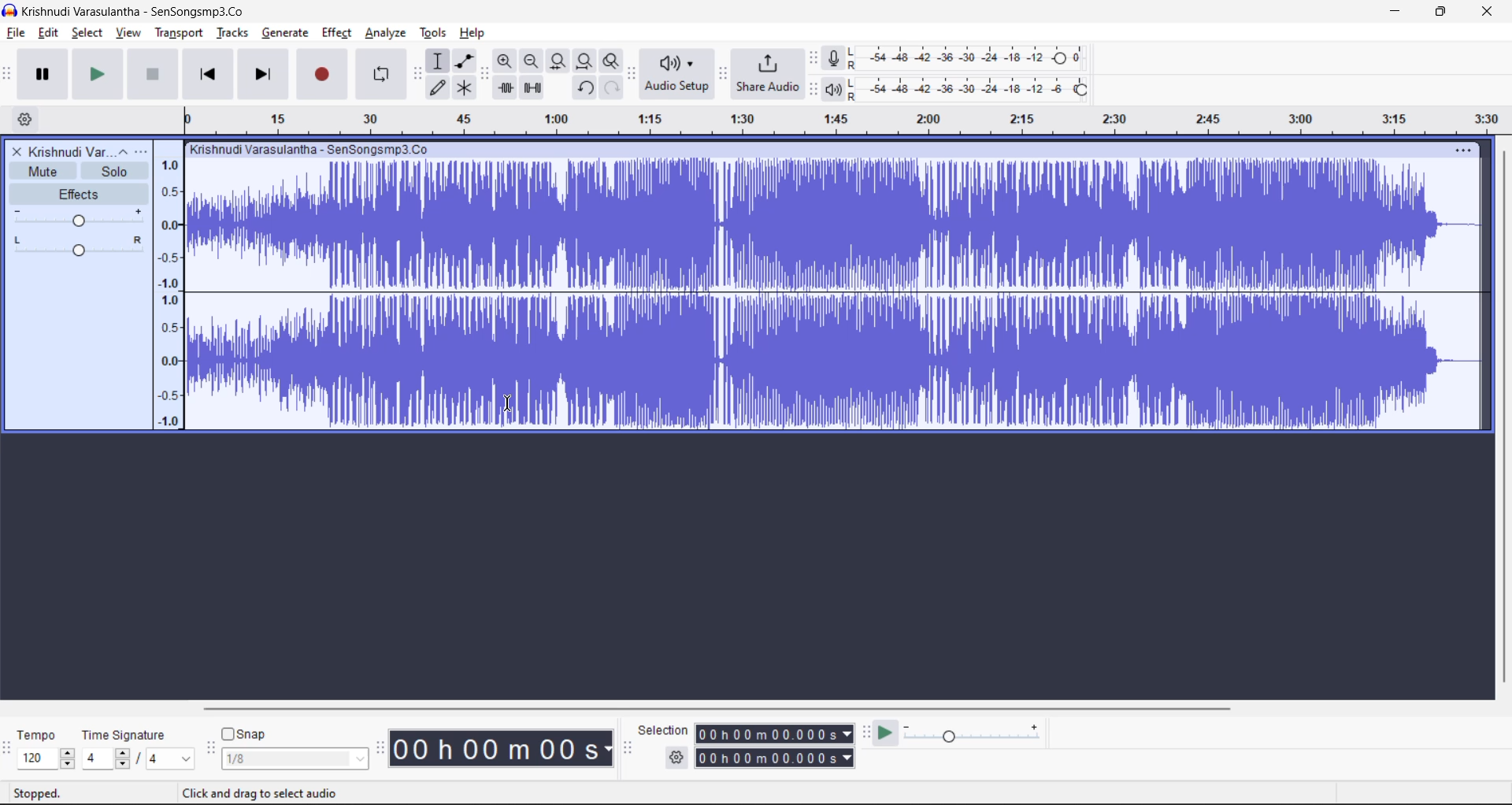  Describe the element at coordinates (323, 73) in the screenshot. I see `record` at that location.